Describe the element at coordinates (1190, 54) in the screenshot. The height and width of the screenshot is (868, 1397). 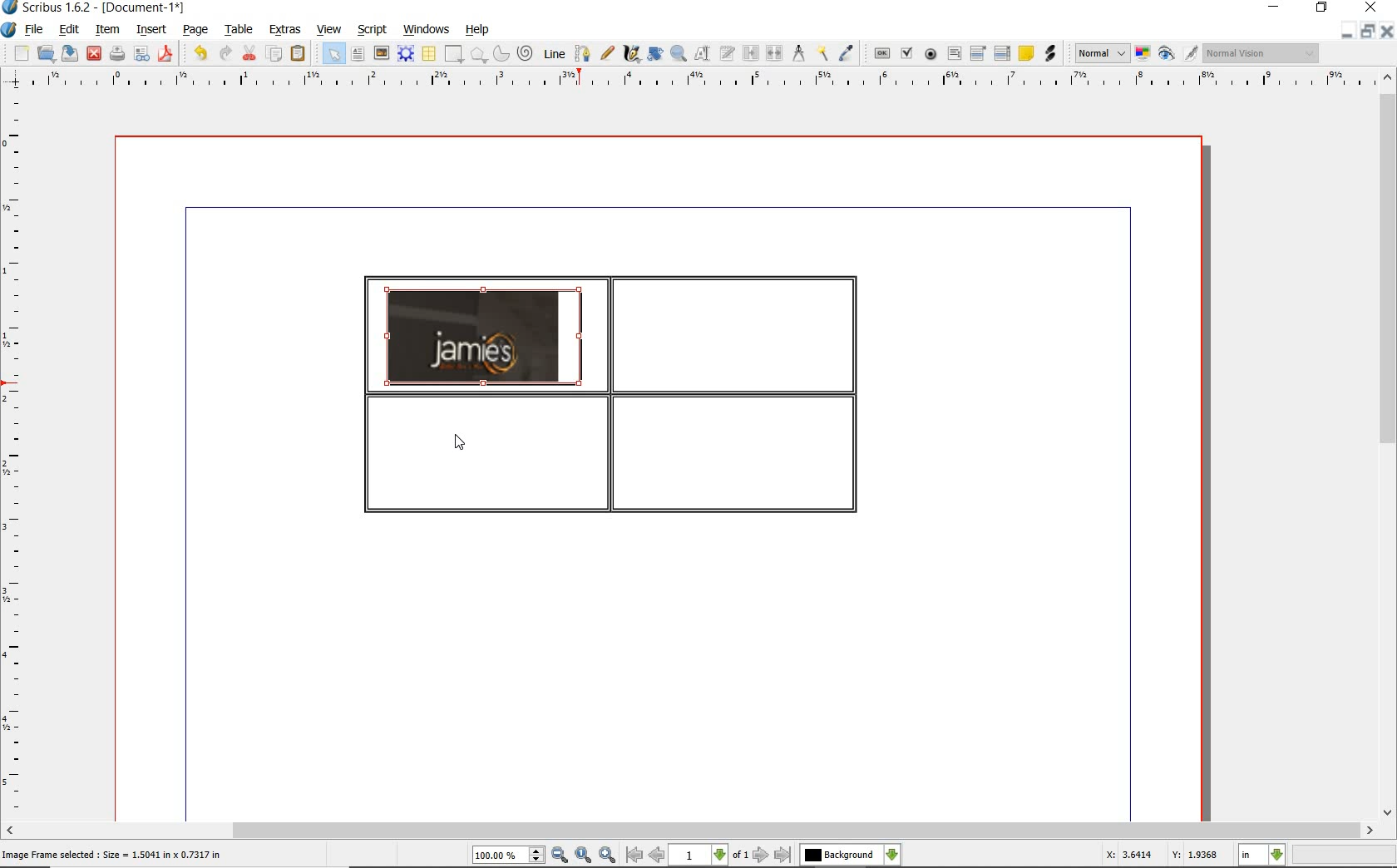
I see `edit in preview mode` at that location.